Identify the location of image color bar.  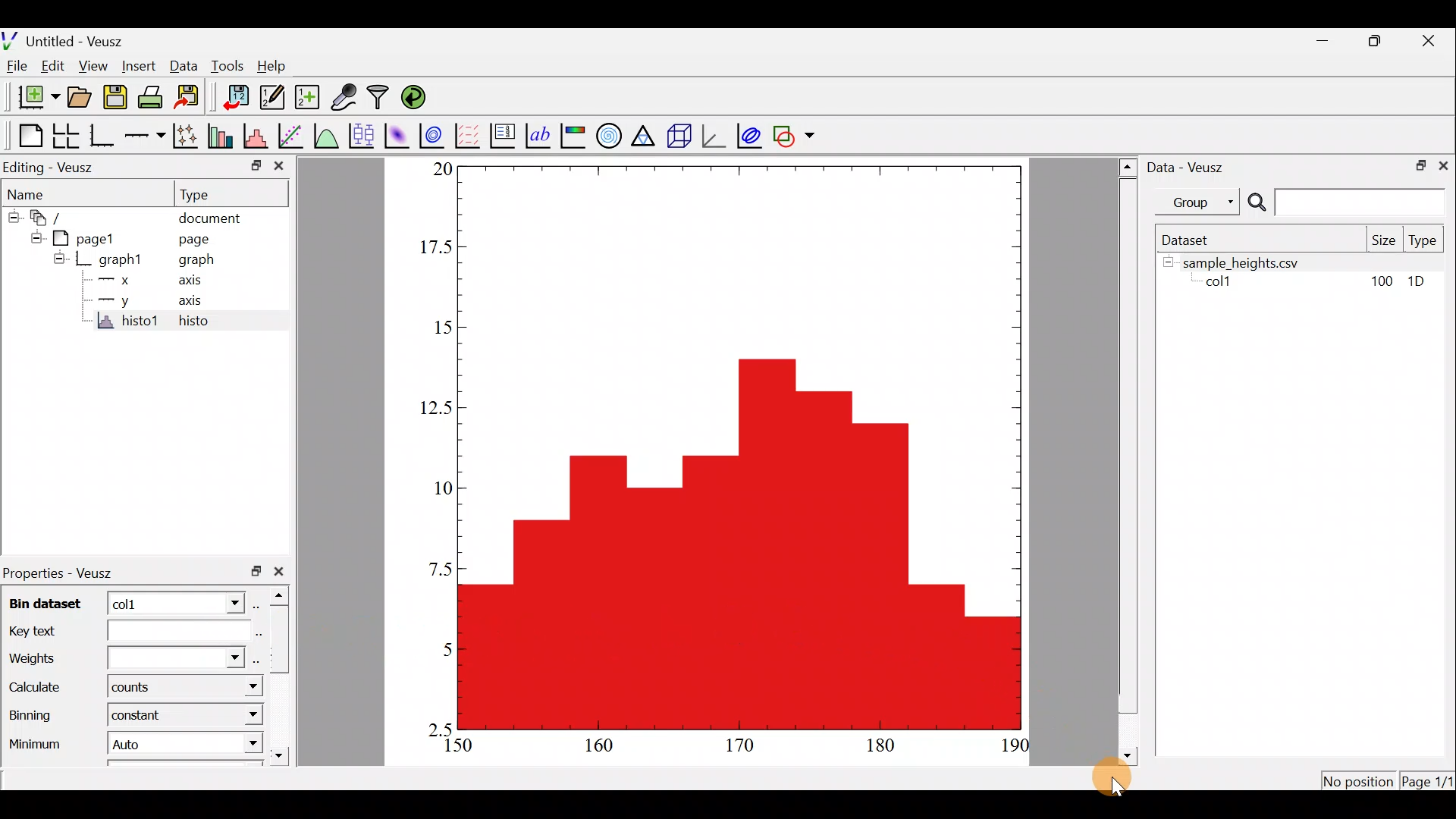
(575, 135).